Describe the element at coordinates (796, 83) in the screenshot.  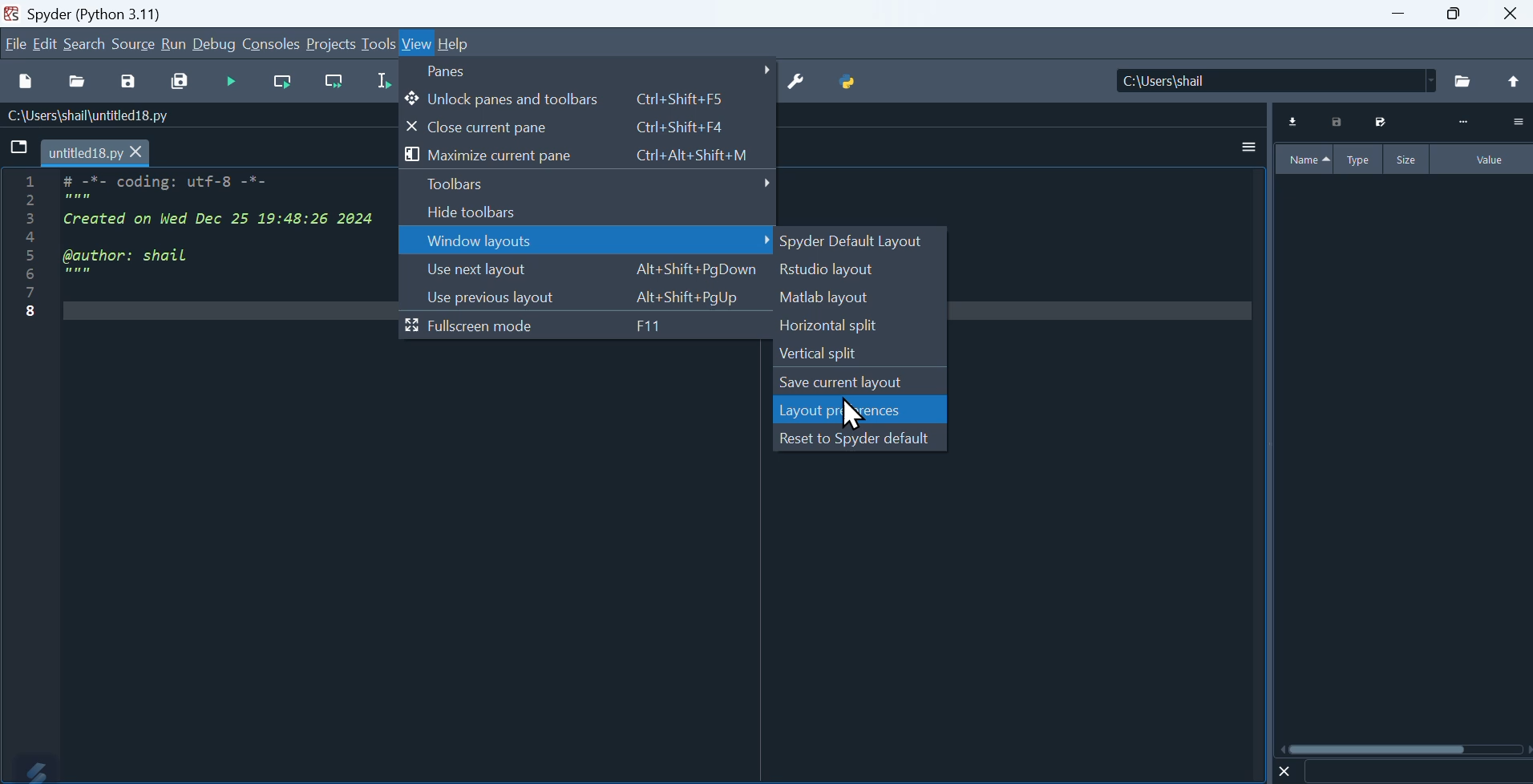
I see `Preferences` at that location.